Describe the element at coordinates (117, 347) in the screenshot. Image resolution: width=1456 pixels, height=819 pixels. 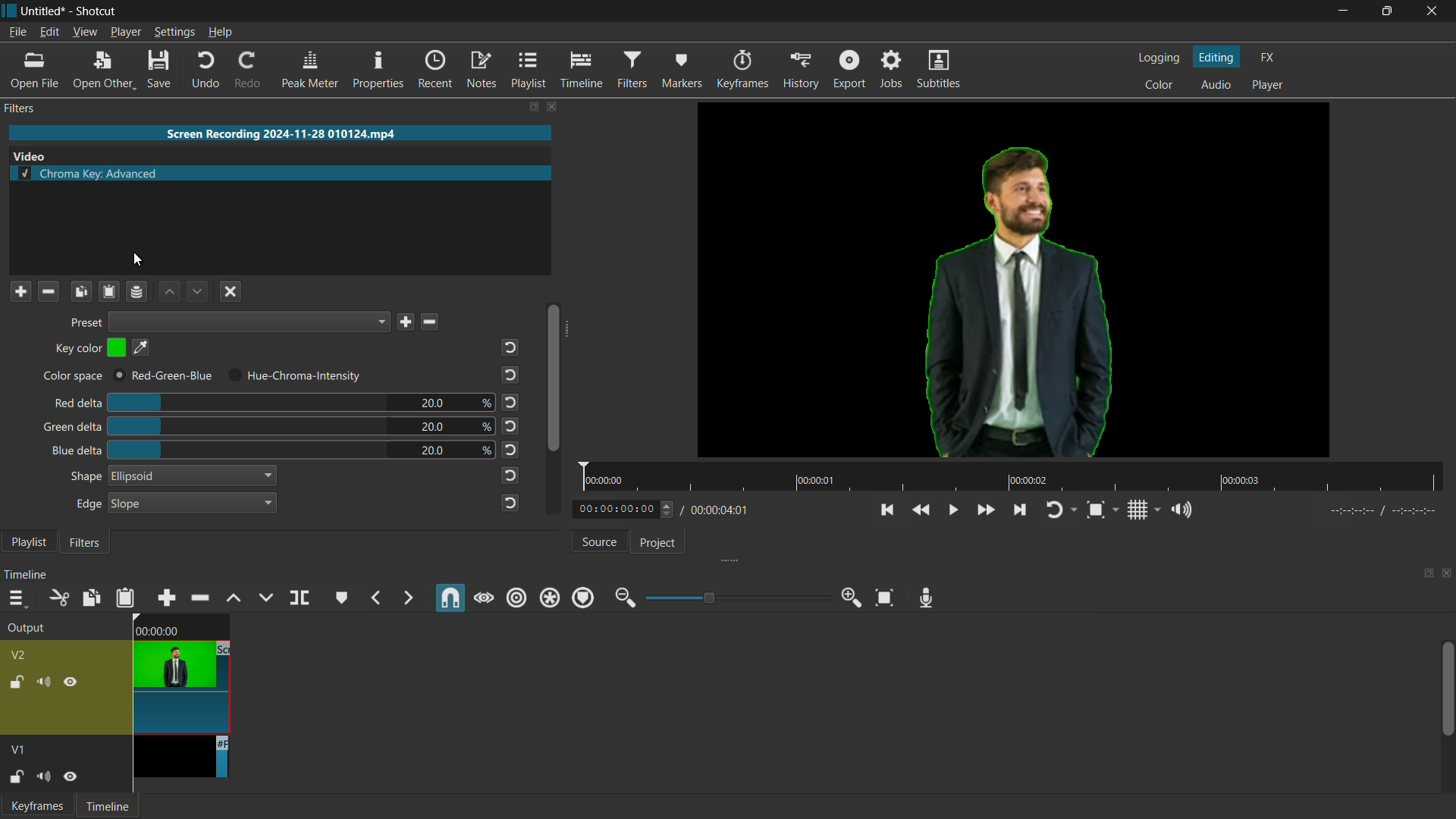
I see `color` at that location.